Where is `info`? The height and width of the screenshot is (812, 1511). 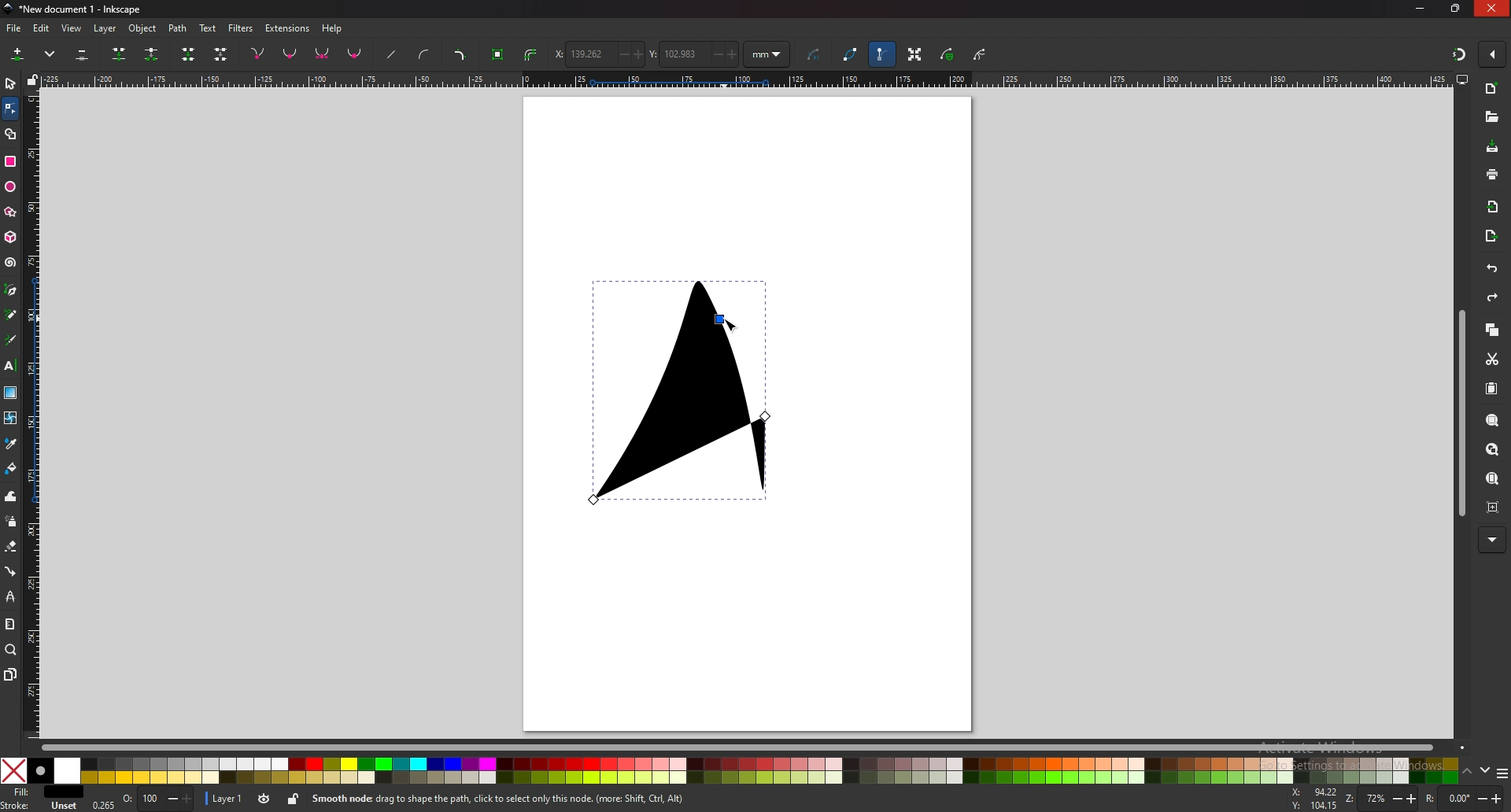 info is located at coordinates (534, 799).